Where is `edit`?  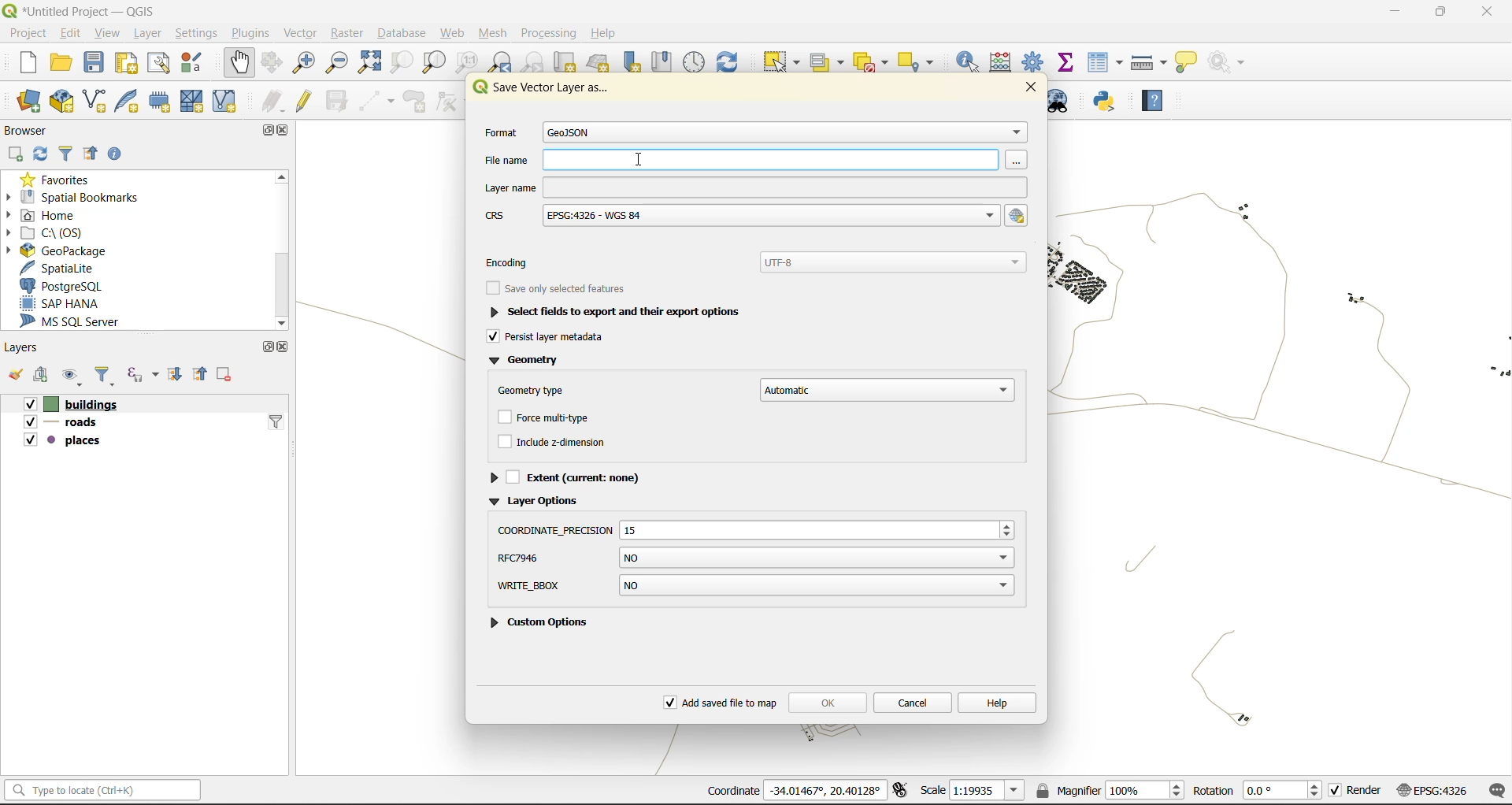
edit is located at coordinates (70, 32).